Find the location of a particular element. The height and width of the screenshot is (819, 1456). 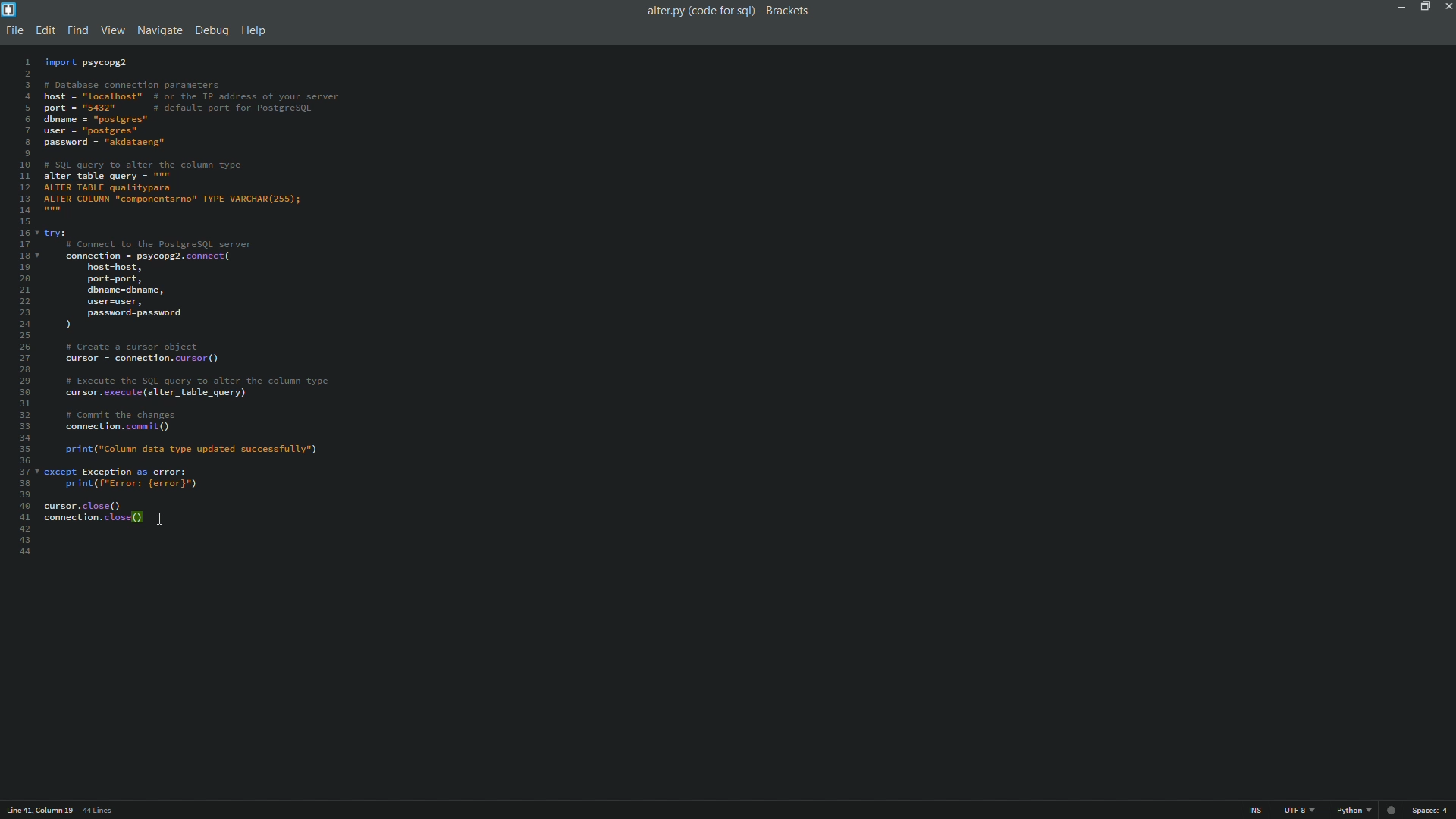

edit menu is located at coordinates (44, 30).